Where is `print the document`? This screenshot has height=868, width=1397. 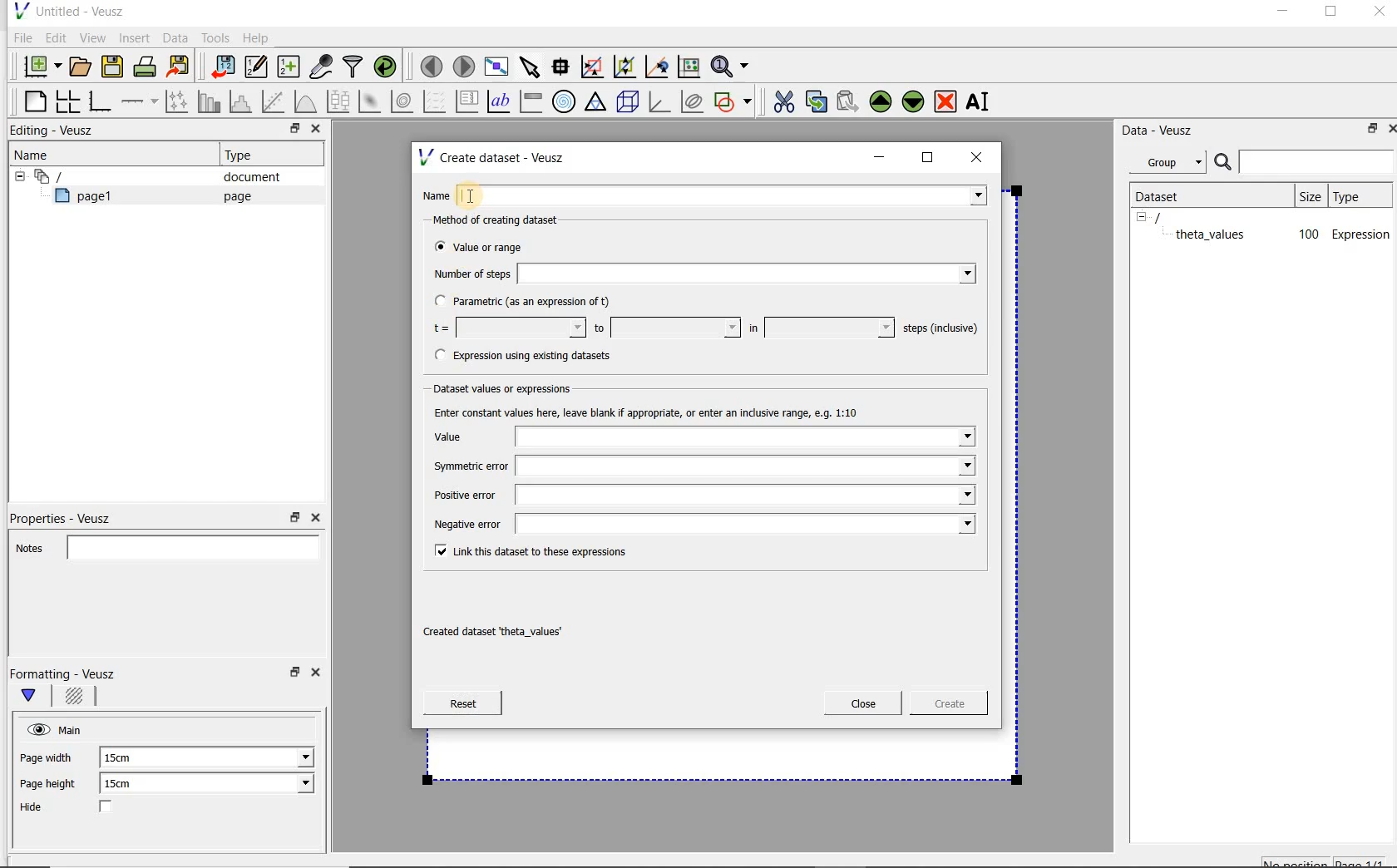 print the document is located at coordinates (148, 66).